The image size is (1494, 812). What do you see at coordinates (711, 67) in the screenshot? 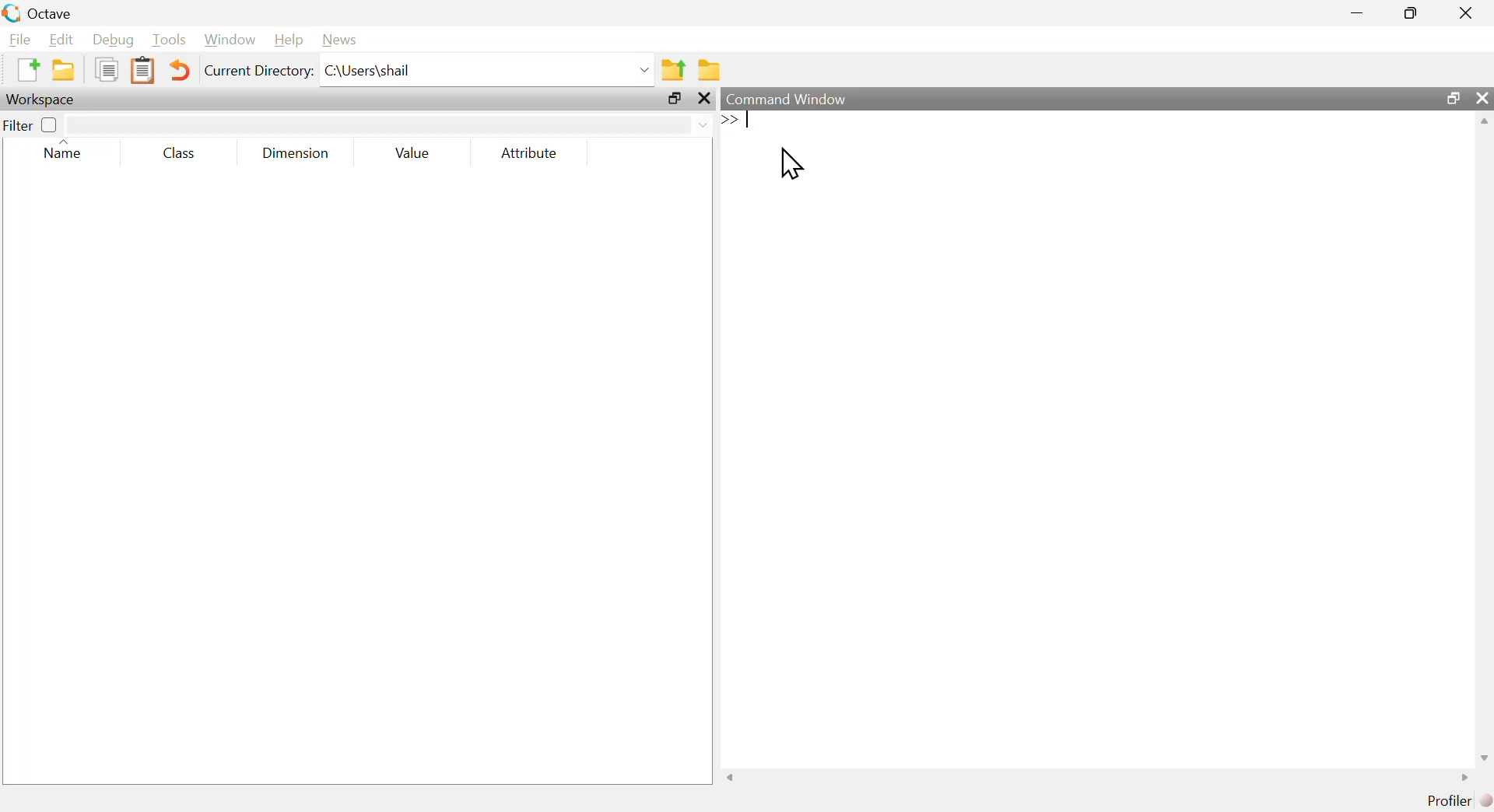
I see `folder` at bounding box center [711, 67].